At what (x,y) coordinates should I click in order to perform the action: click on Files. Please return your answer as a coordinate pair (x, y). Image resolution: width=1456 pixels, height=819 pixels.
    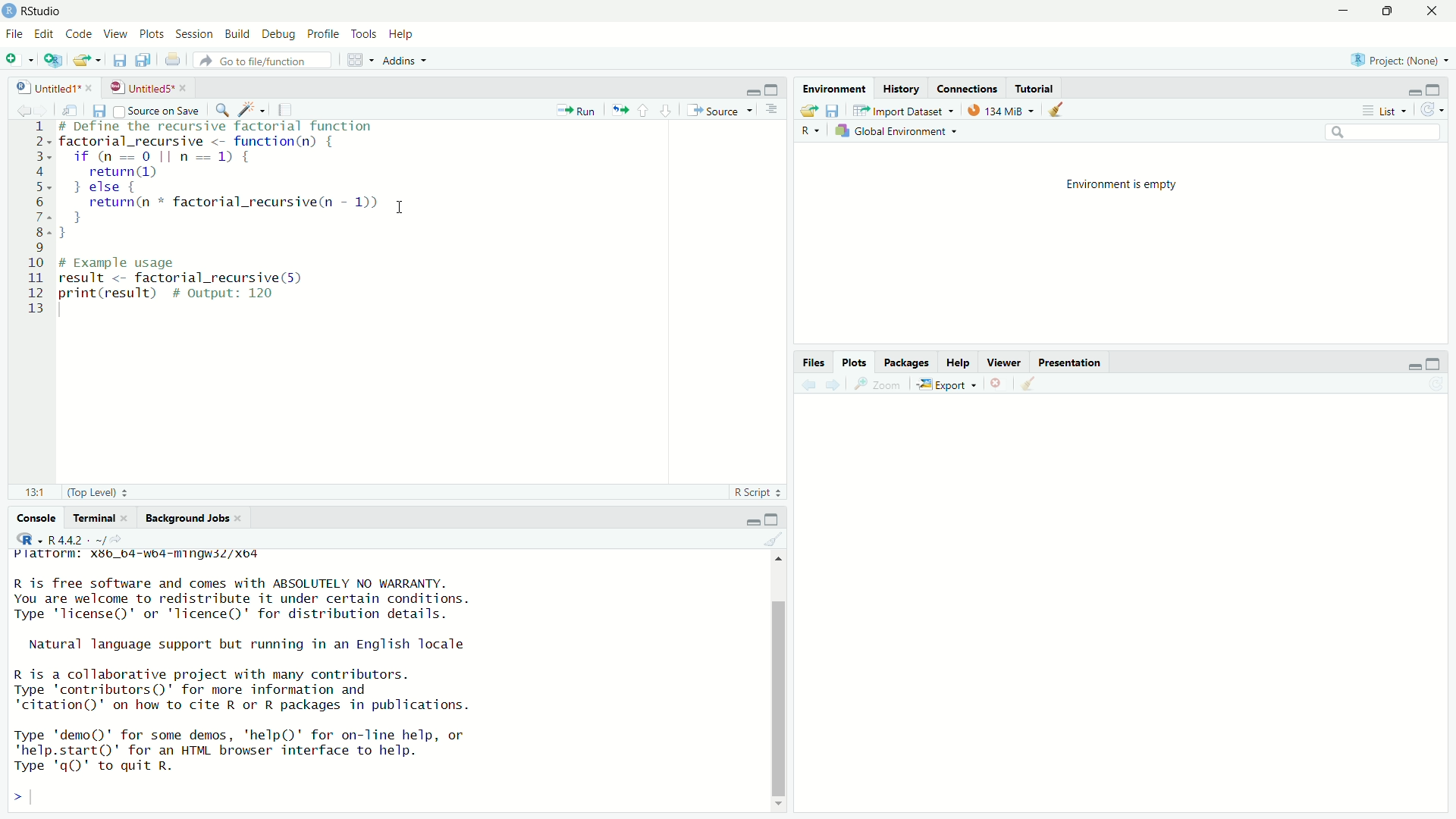
    Looking at the image, I should click on (814, 362).